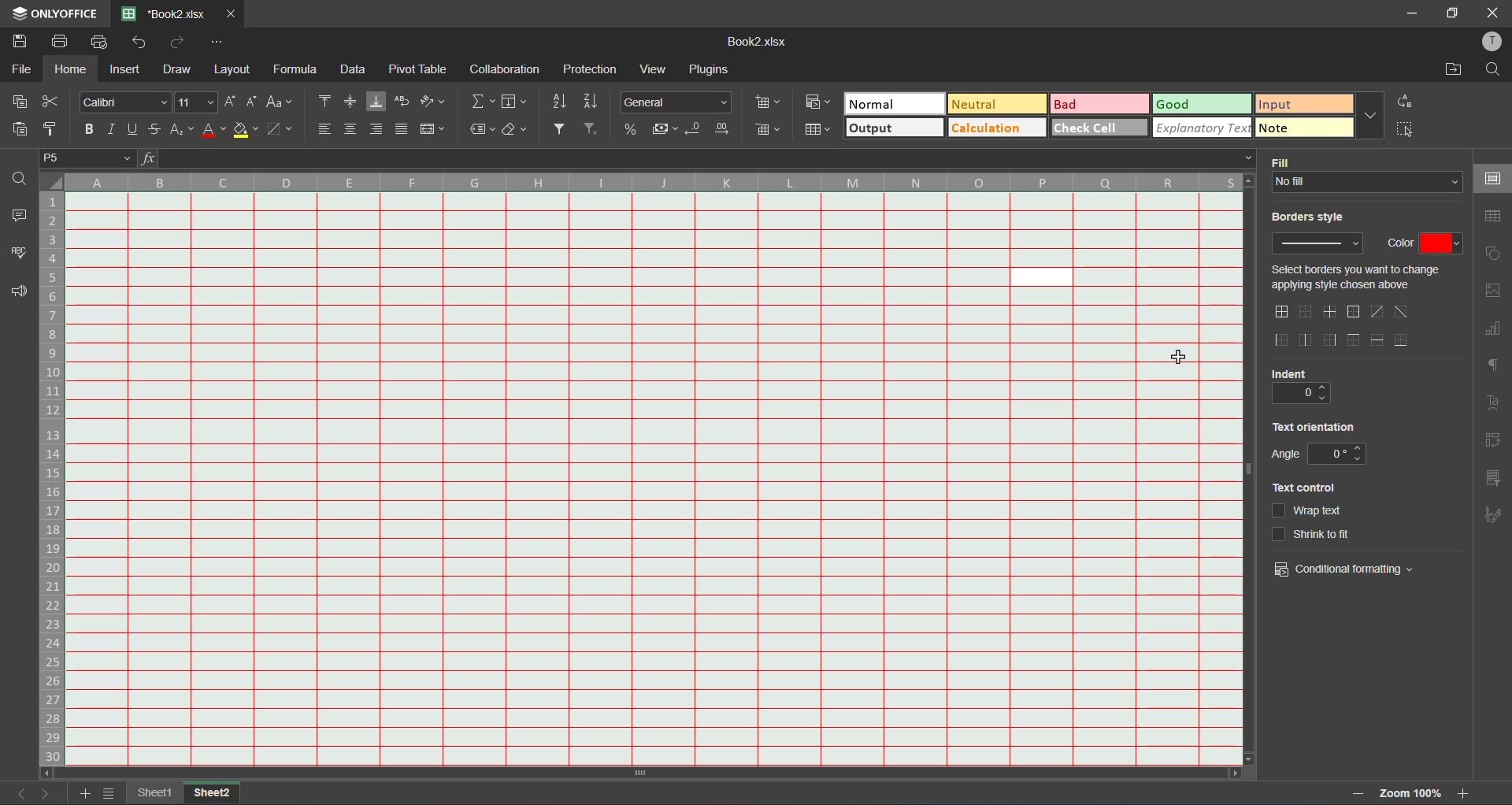  What do you see at coordinates (1493, 516) in the screenshot?
I see `signature` at bounding box center [1493, 516].